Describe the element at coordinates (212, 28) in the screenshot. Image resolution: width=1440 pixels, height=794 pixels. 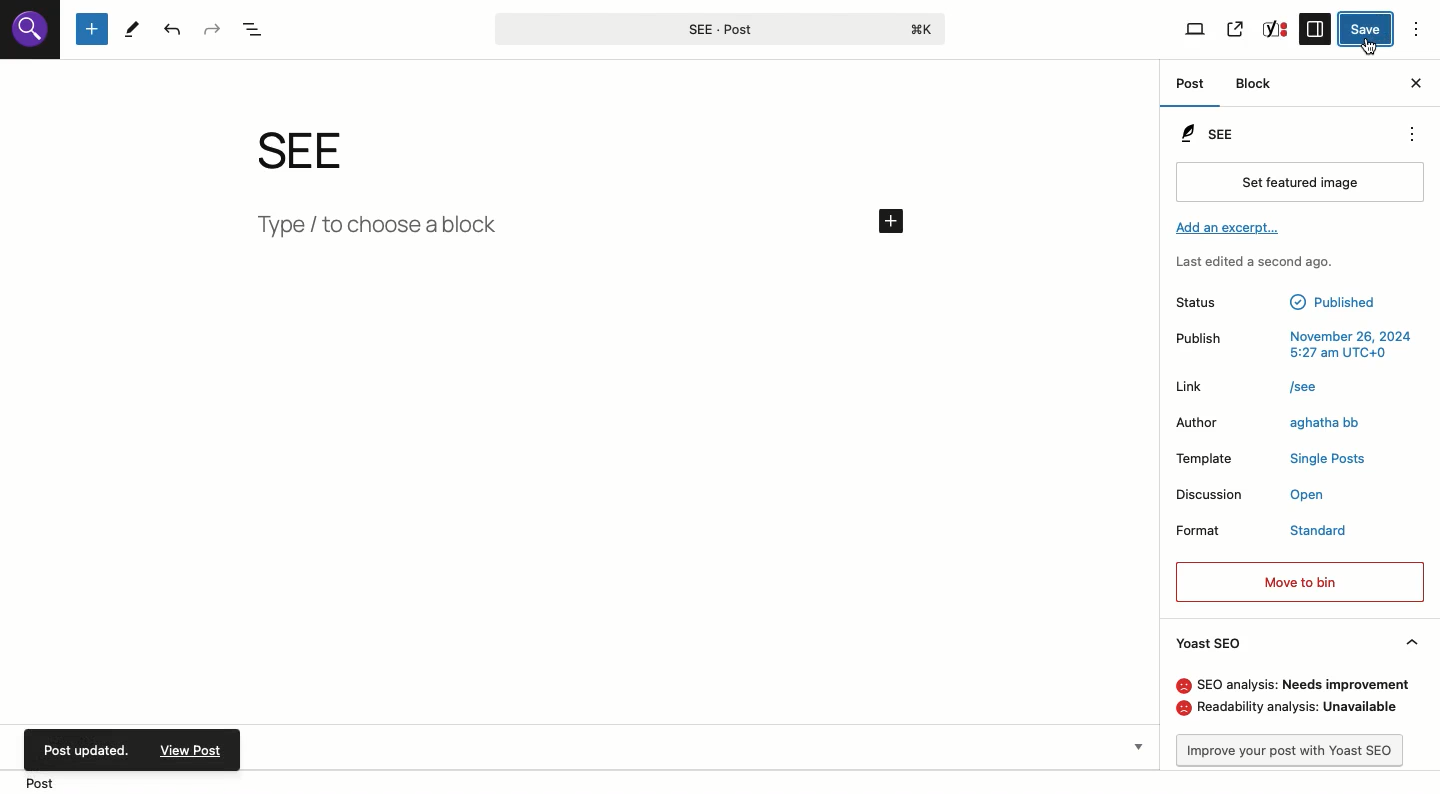
I see `Redo` at that location.